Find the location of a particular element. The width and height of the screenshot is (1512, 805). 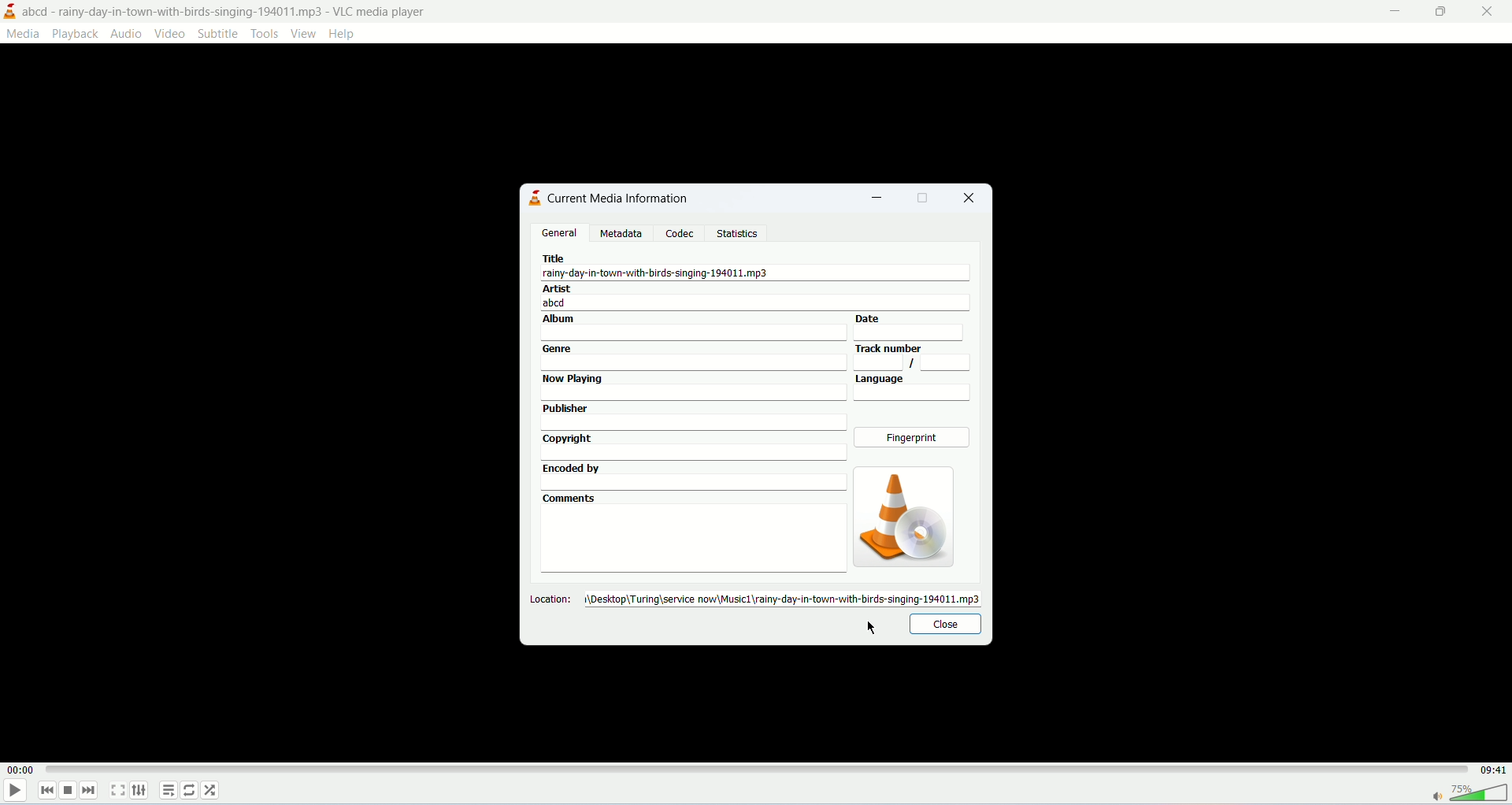

minimize is located at coordinates (876, 200).